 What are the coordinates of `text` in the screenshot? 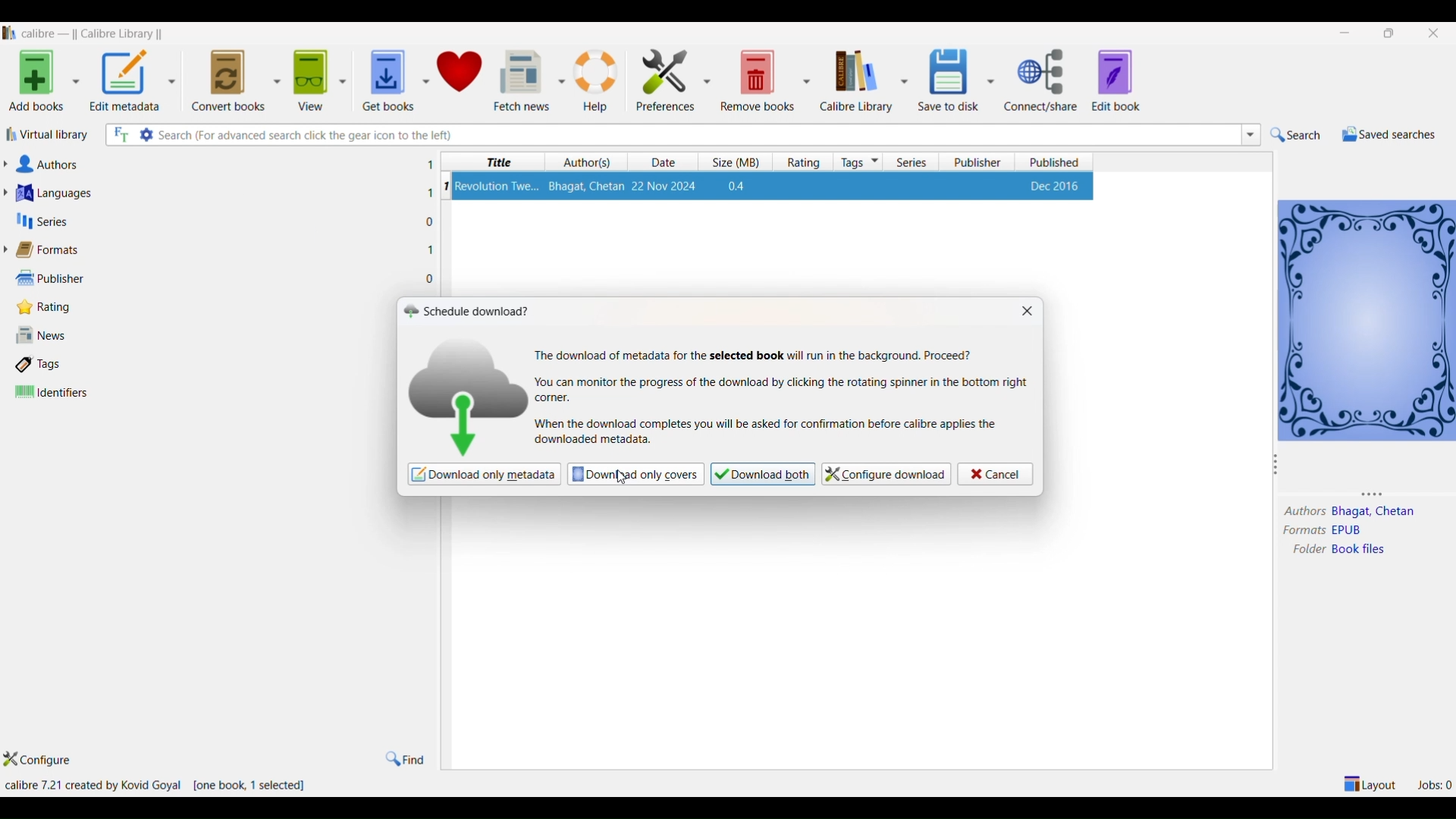 It's located at (781, 389).